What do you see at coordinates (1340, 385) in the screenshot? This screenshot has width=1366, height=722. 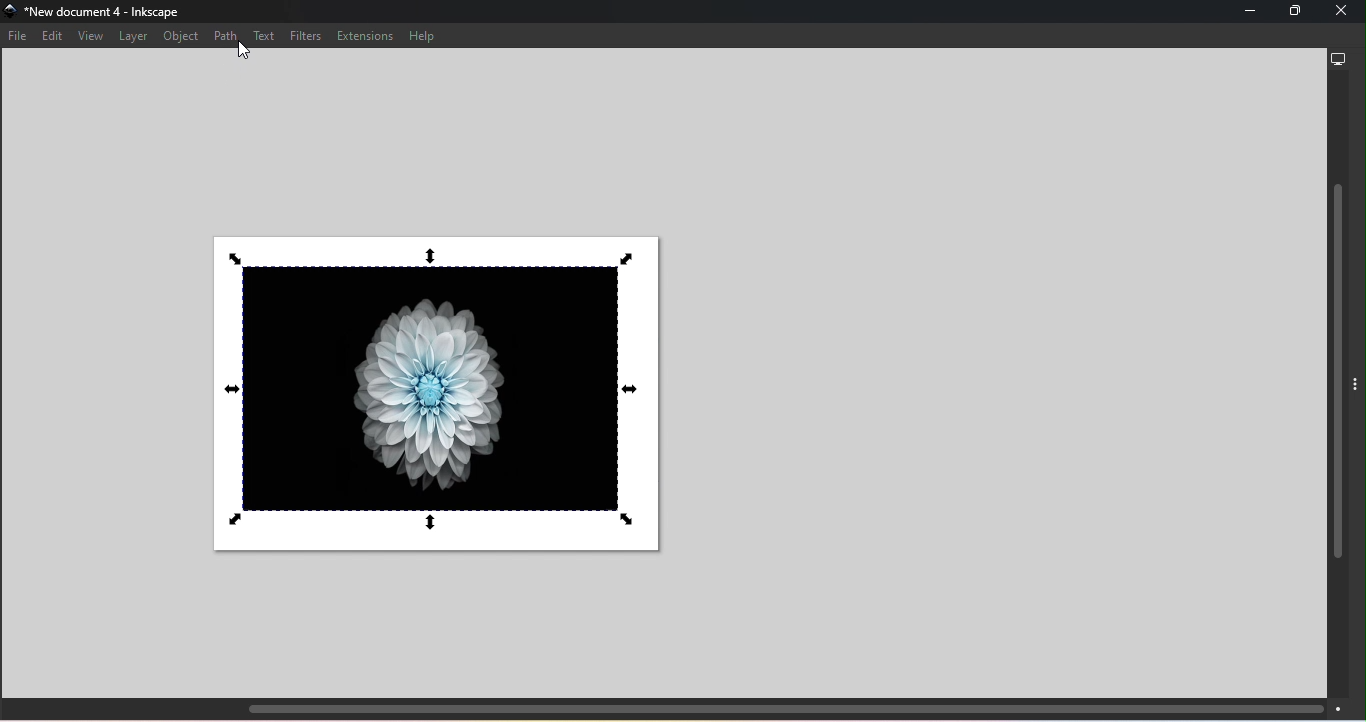 I see `Vertical scroll bar` at bounding box center [1340, 385].